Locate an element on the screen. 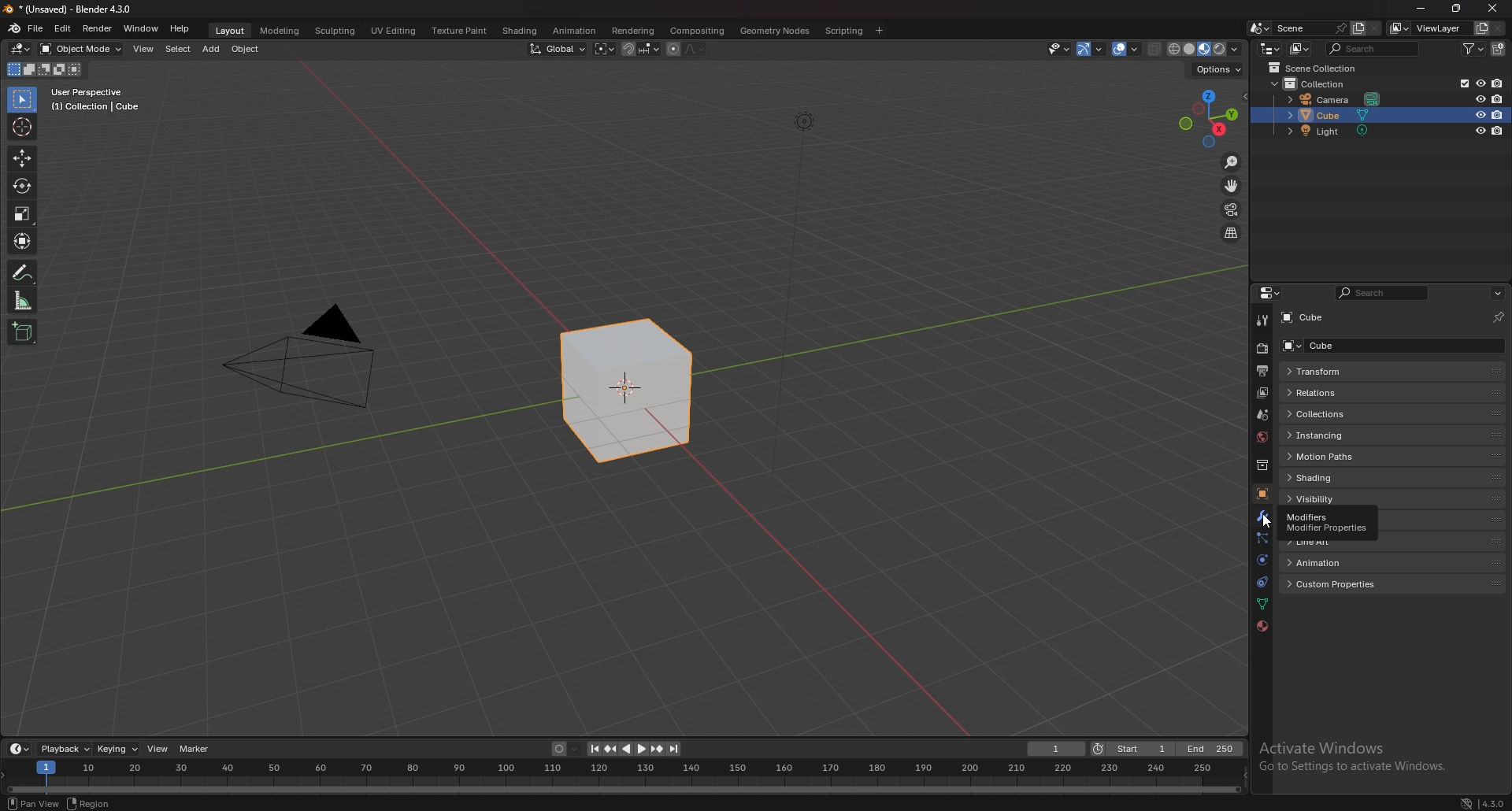 The height and width of the screenshot is (811, 1512). jump to endpoint is located at coordinates (592, 749).